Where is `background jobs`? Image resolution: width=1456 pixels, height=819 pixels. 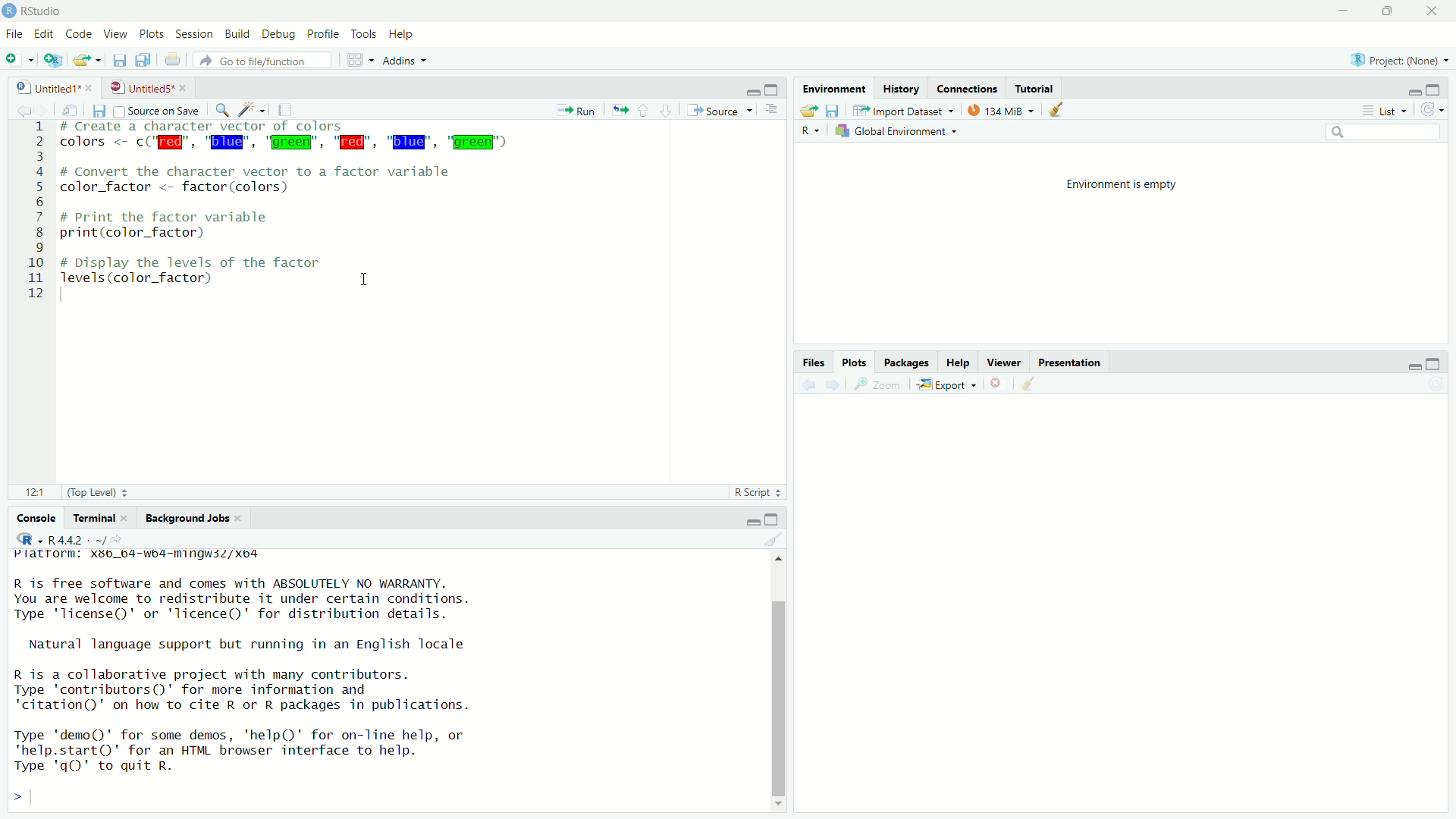
background jobs is located at coordinates (193, 520).